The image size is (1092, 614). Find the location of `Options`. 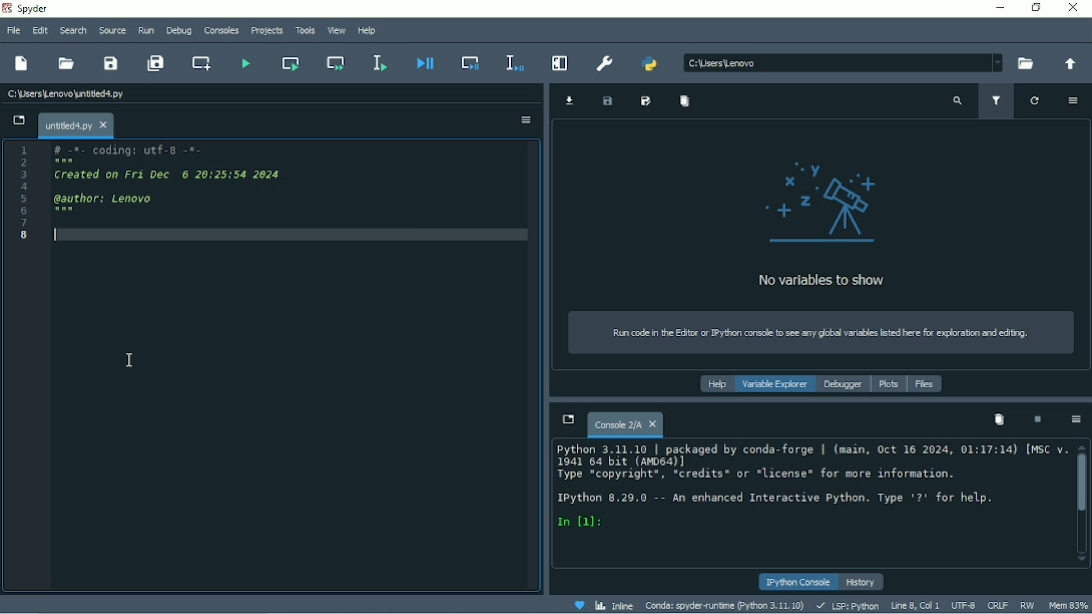

Options is located at coordinates (1076, 420).